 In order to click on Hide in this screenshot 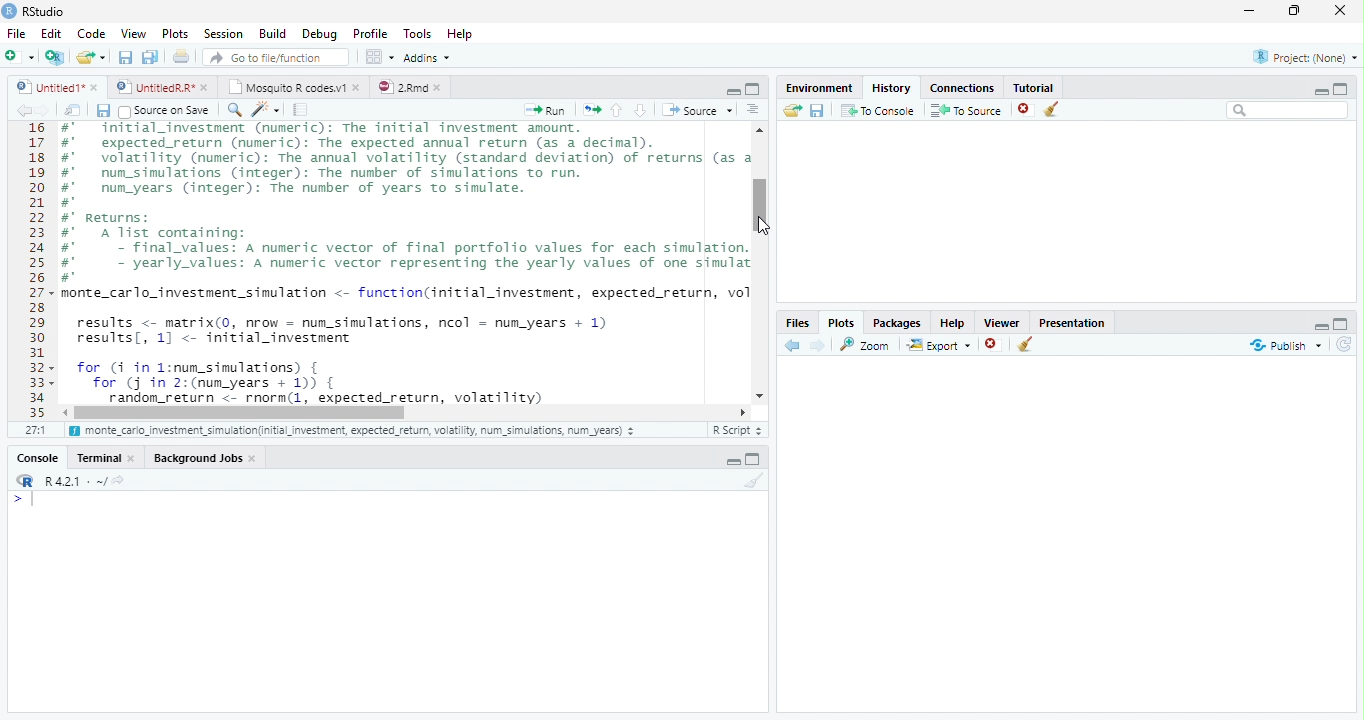, I will do `click(1321, 90)`.